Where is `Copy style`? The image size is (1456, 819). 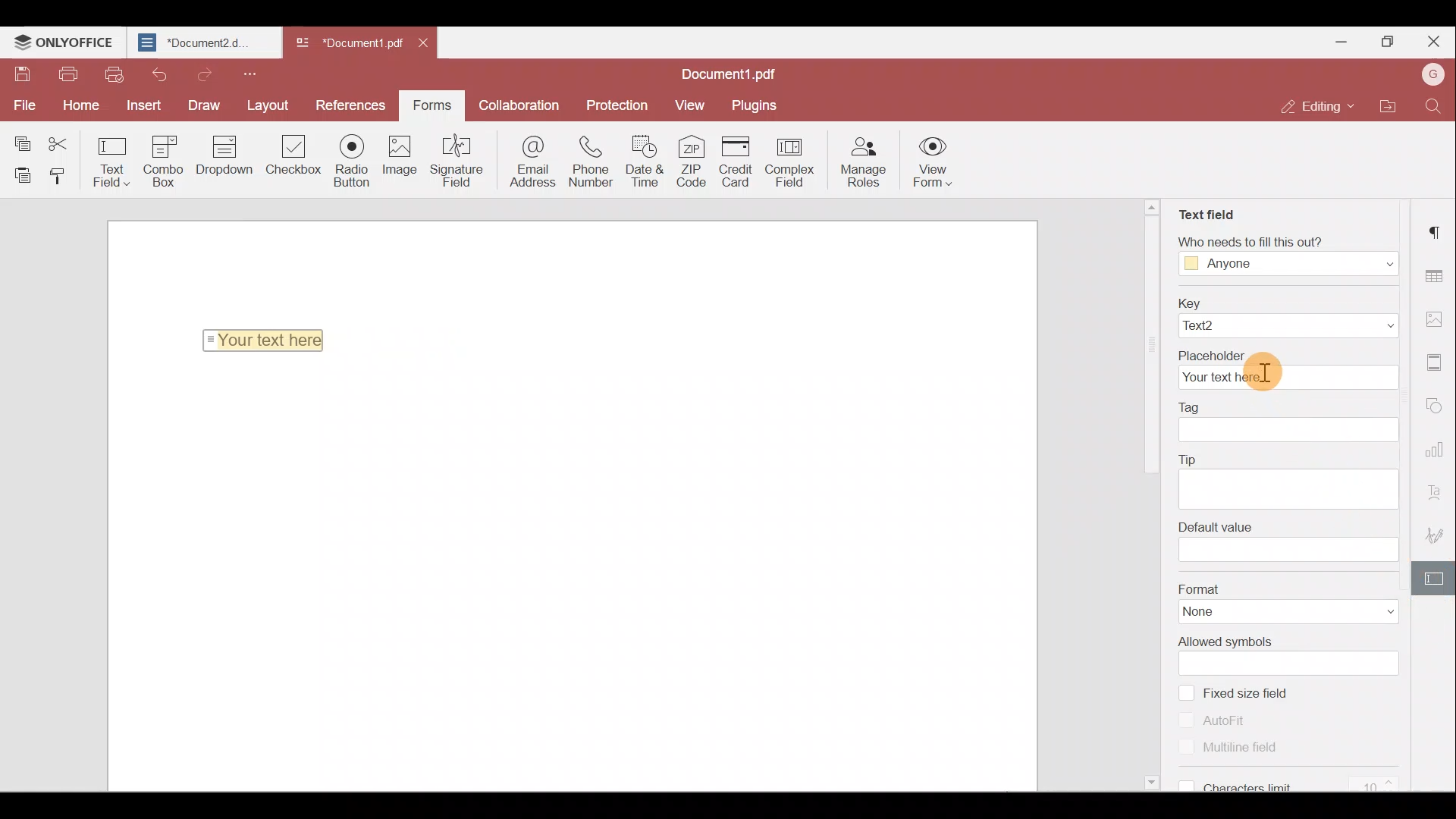
Copy style is located at coordinates (62, 178).